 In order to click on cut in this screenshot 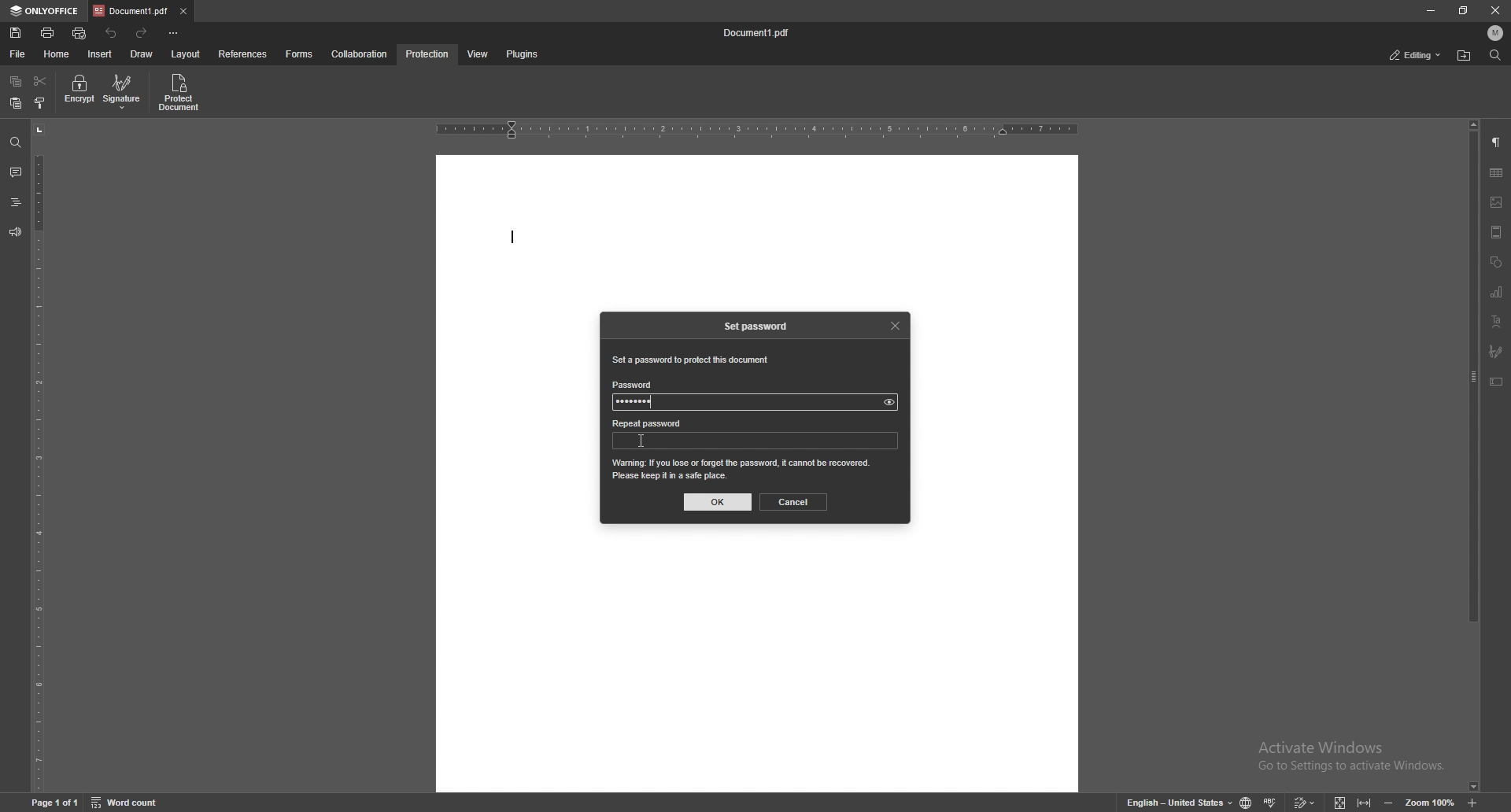, I will do `click(39, 80)`.